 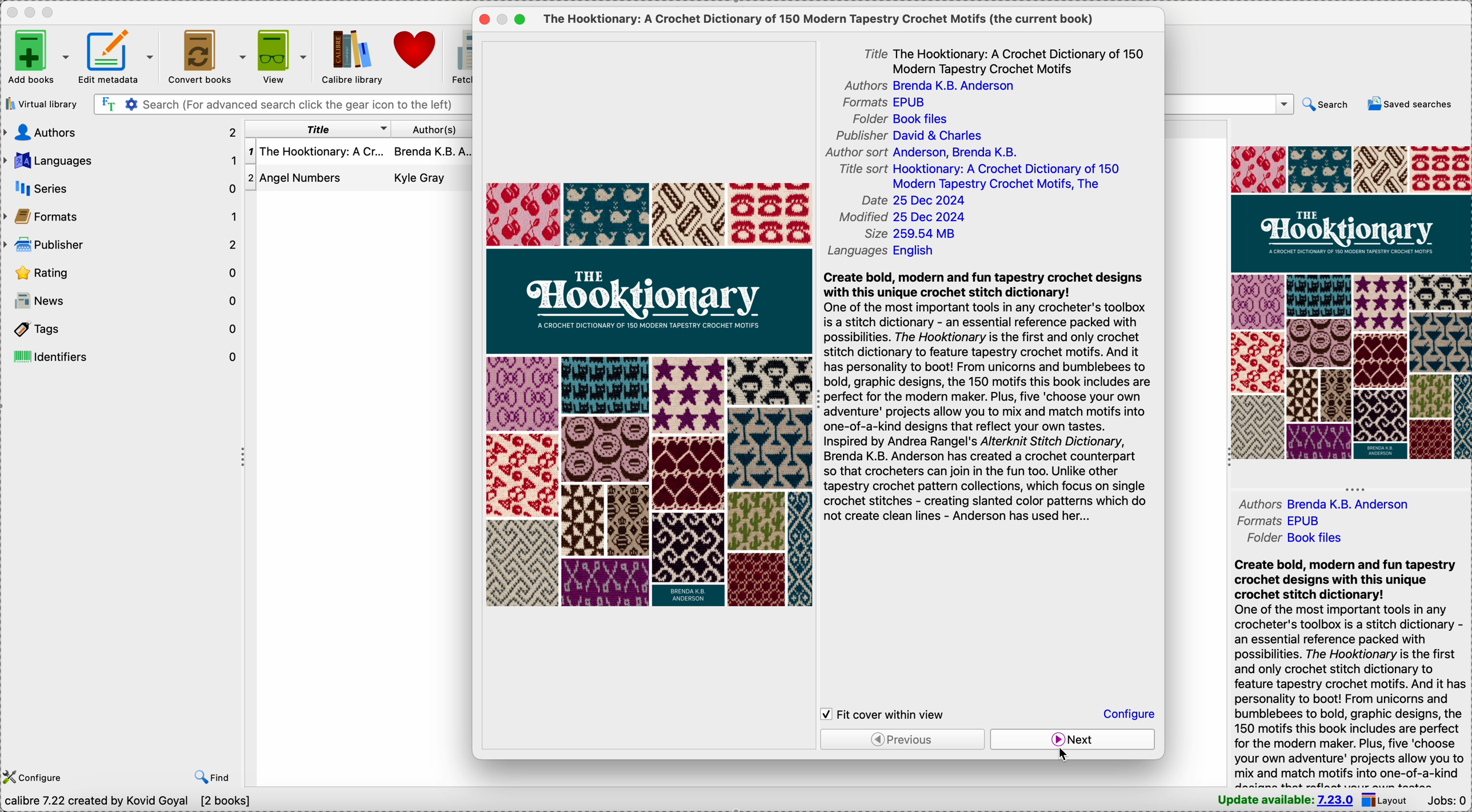 I want to click on languages, so click(x=121, y=161).